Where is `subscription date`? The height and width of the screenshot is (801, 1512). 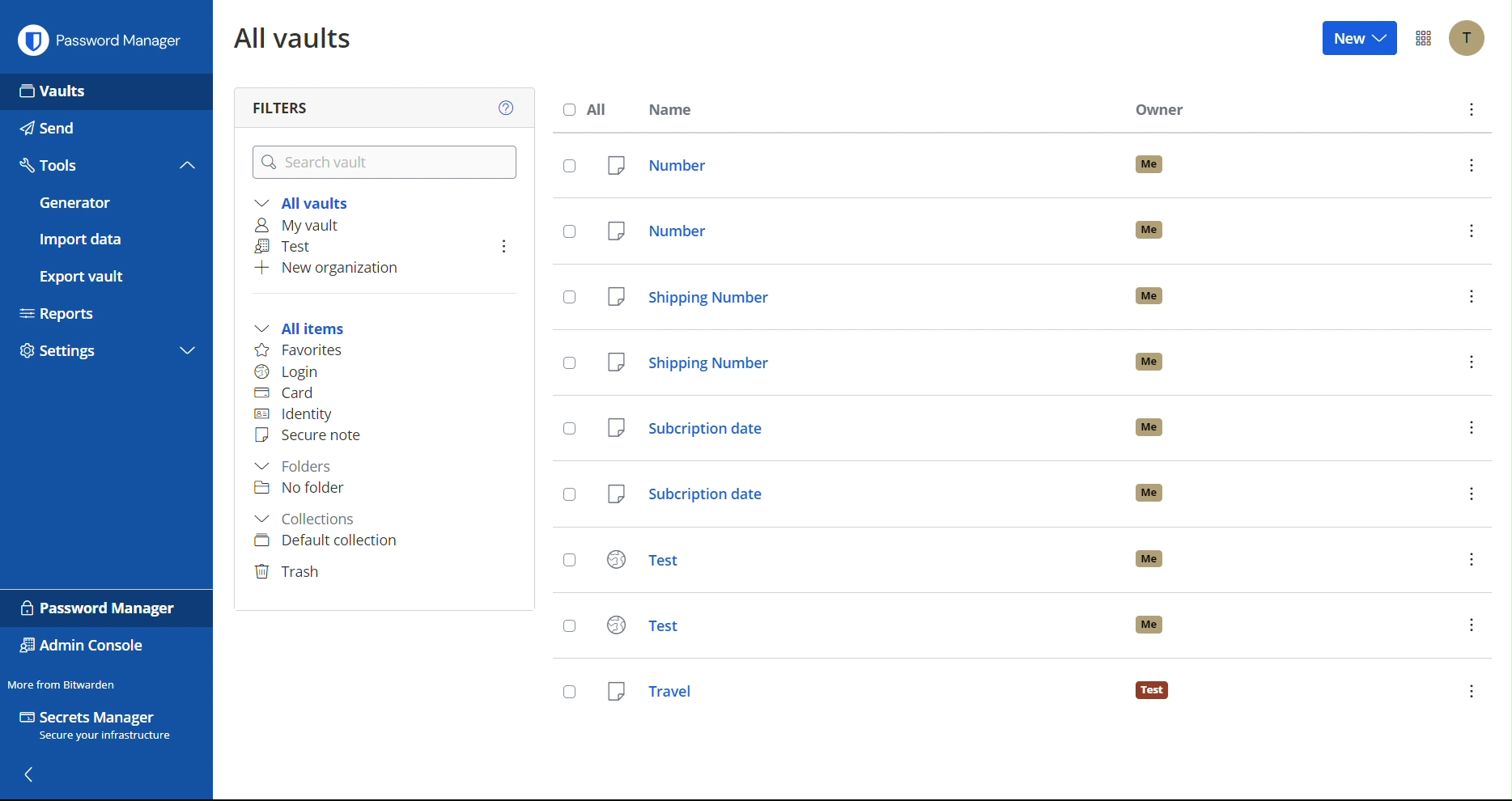
subscription date is located at coordinates (851, 426).